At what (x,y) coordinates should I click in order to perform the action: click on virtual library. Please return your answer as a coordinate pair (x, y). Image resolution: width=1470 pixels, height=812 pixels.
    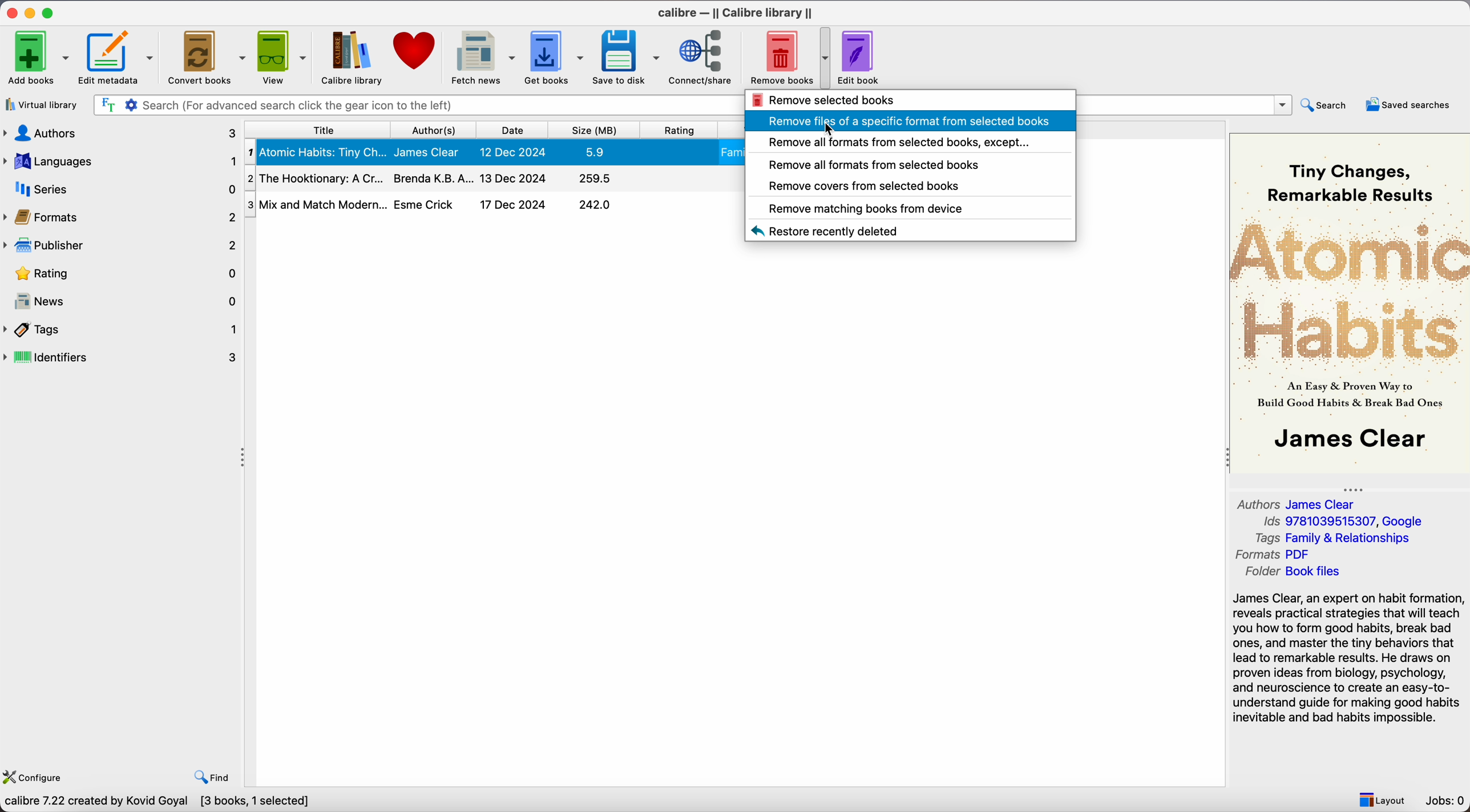
    Looking at the image, I should click on (42, 106).